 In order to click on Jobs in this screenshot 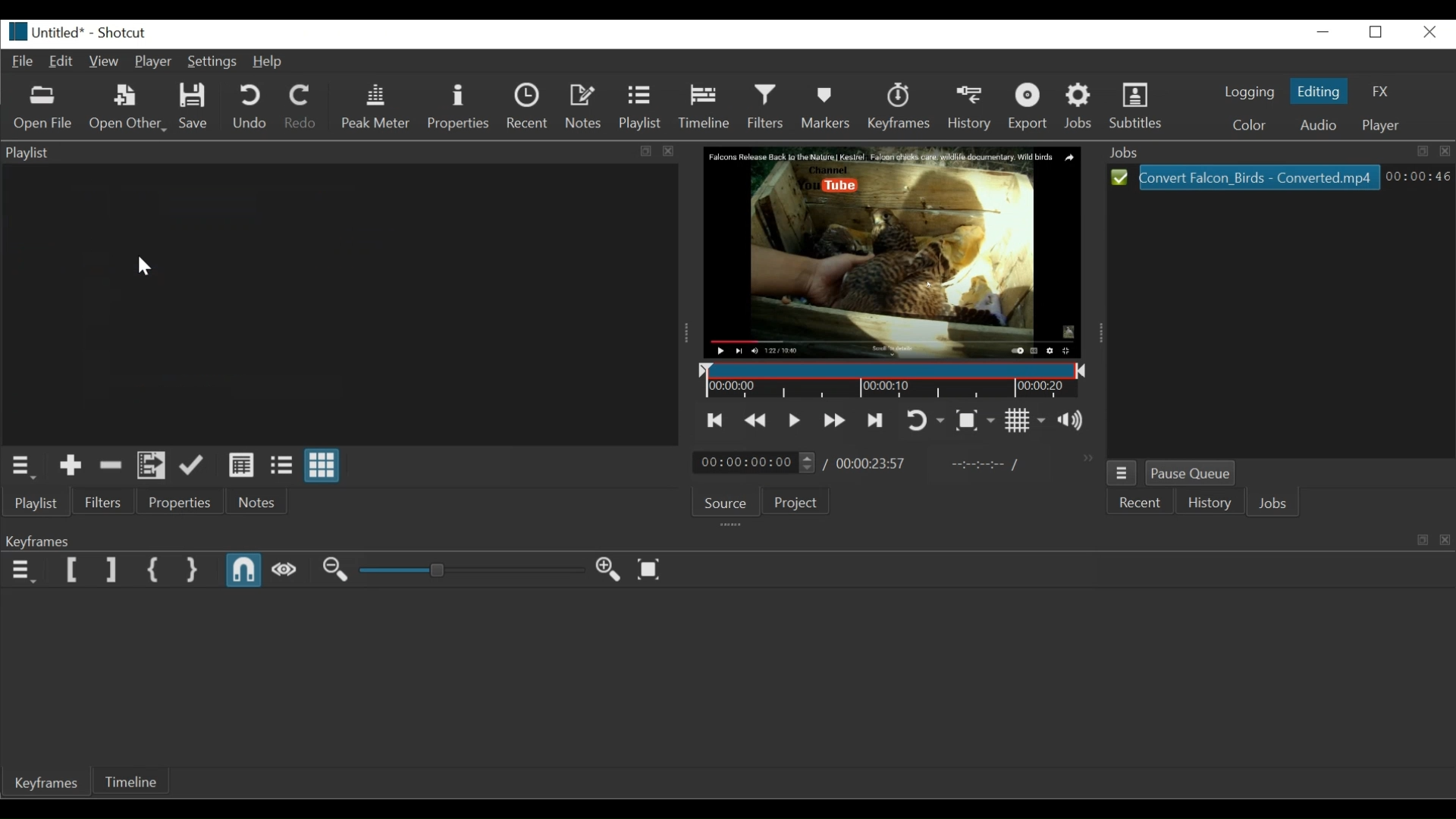, I will do `click(1276, 504)`.